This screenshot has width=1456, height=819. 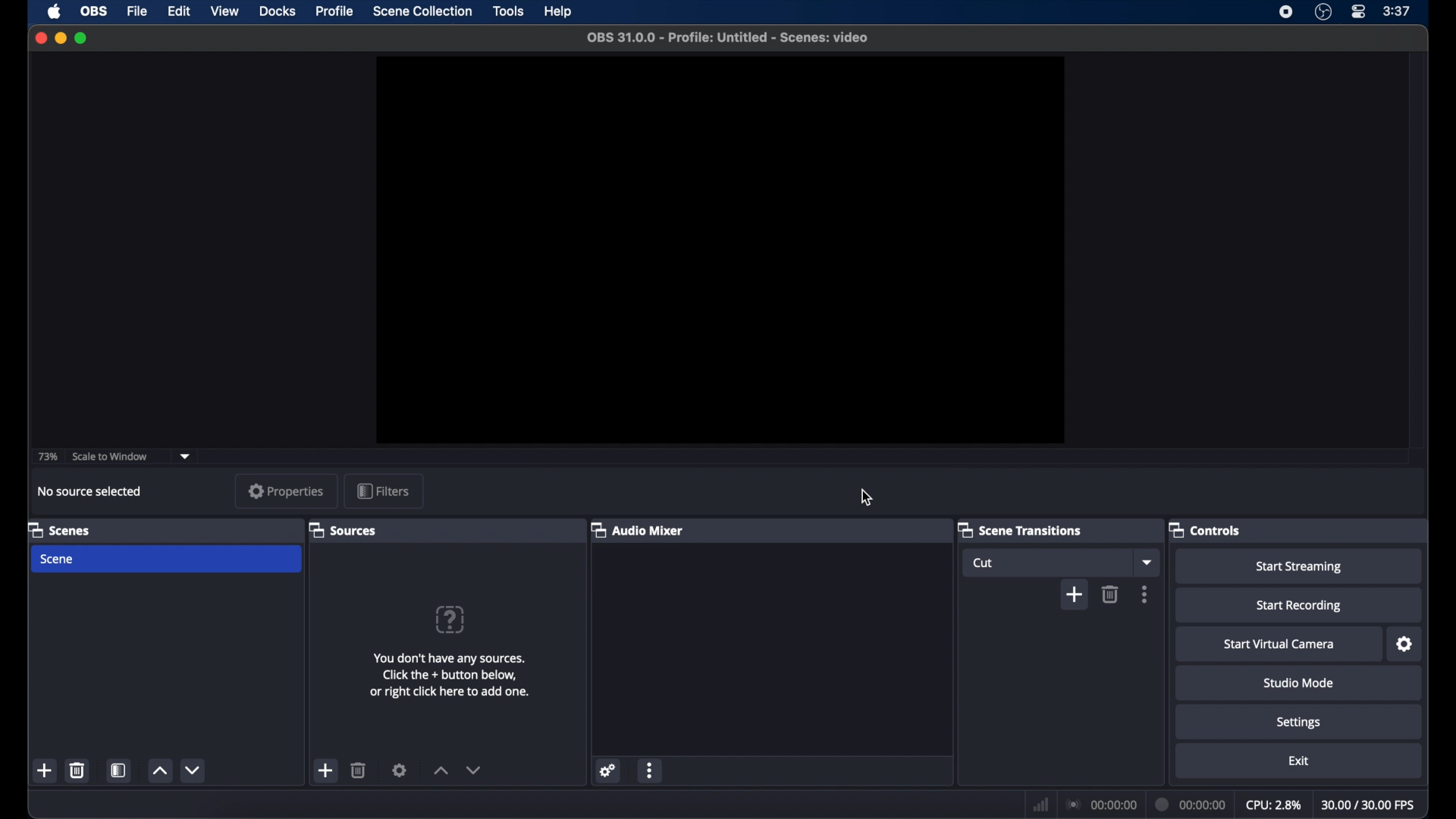 I want to click on delete, so click(x=359, y=770).